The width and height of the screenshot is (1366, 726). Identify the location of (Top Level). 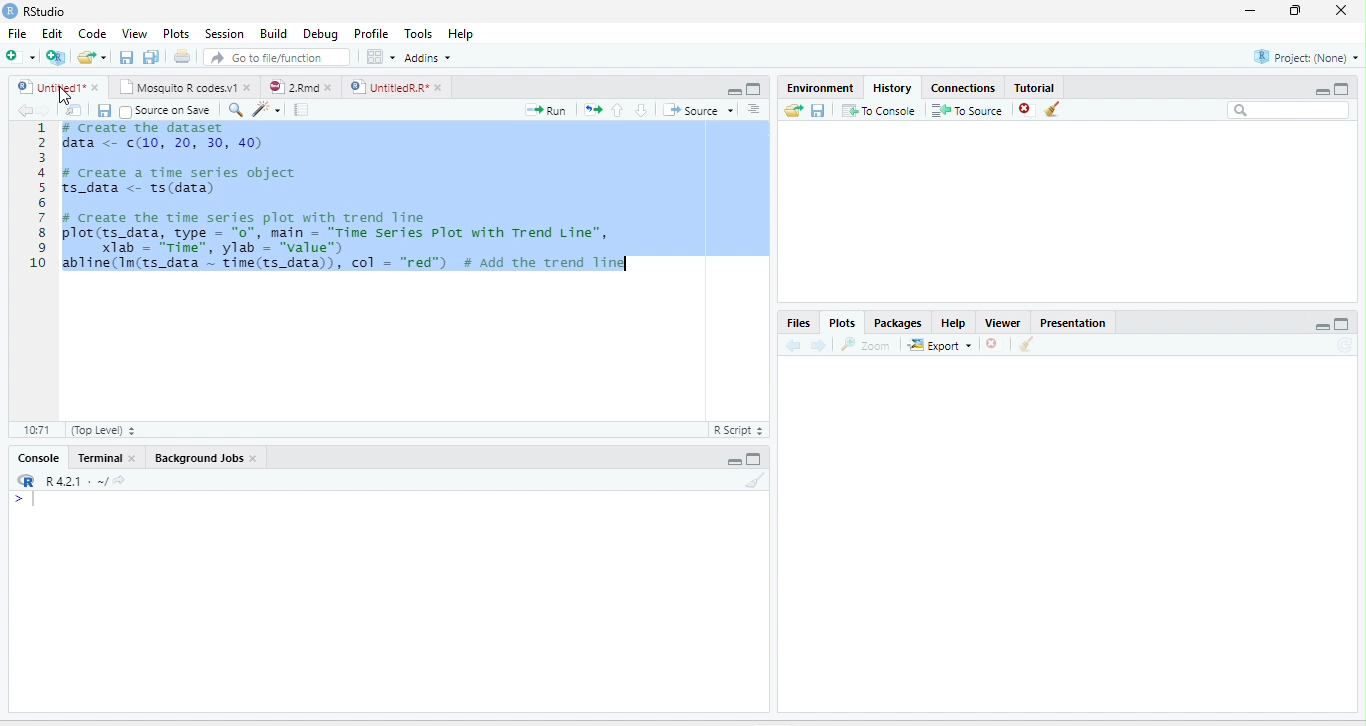
(102, 430).